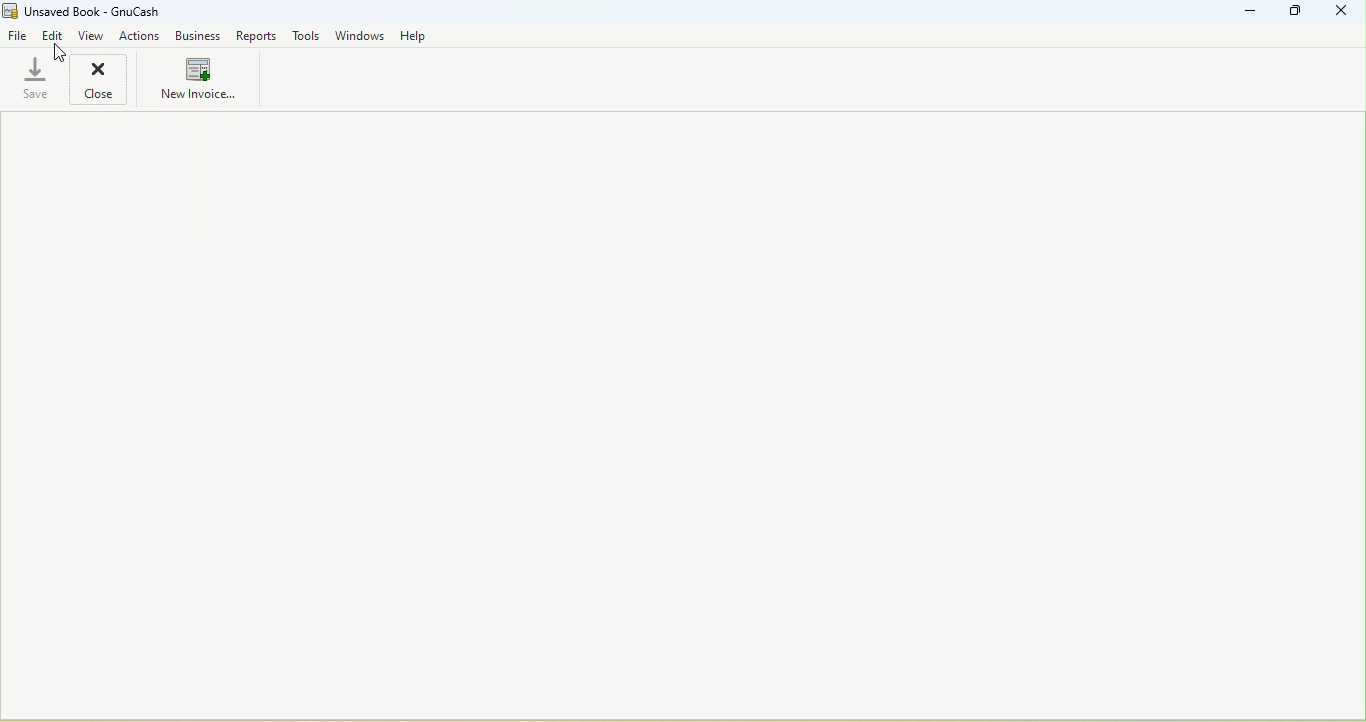  What do you see at coordinates (360, 36) in the screenshot?
I see `Windows` at bounding box center [360, 36].